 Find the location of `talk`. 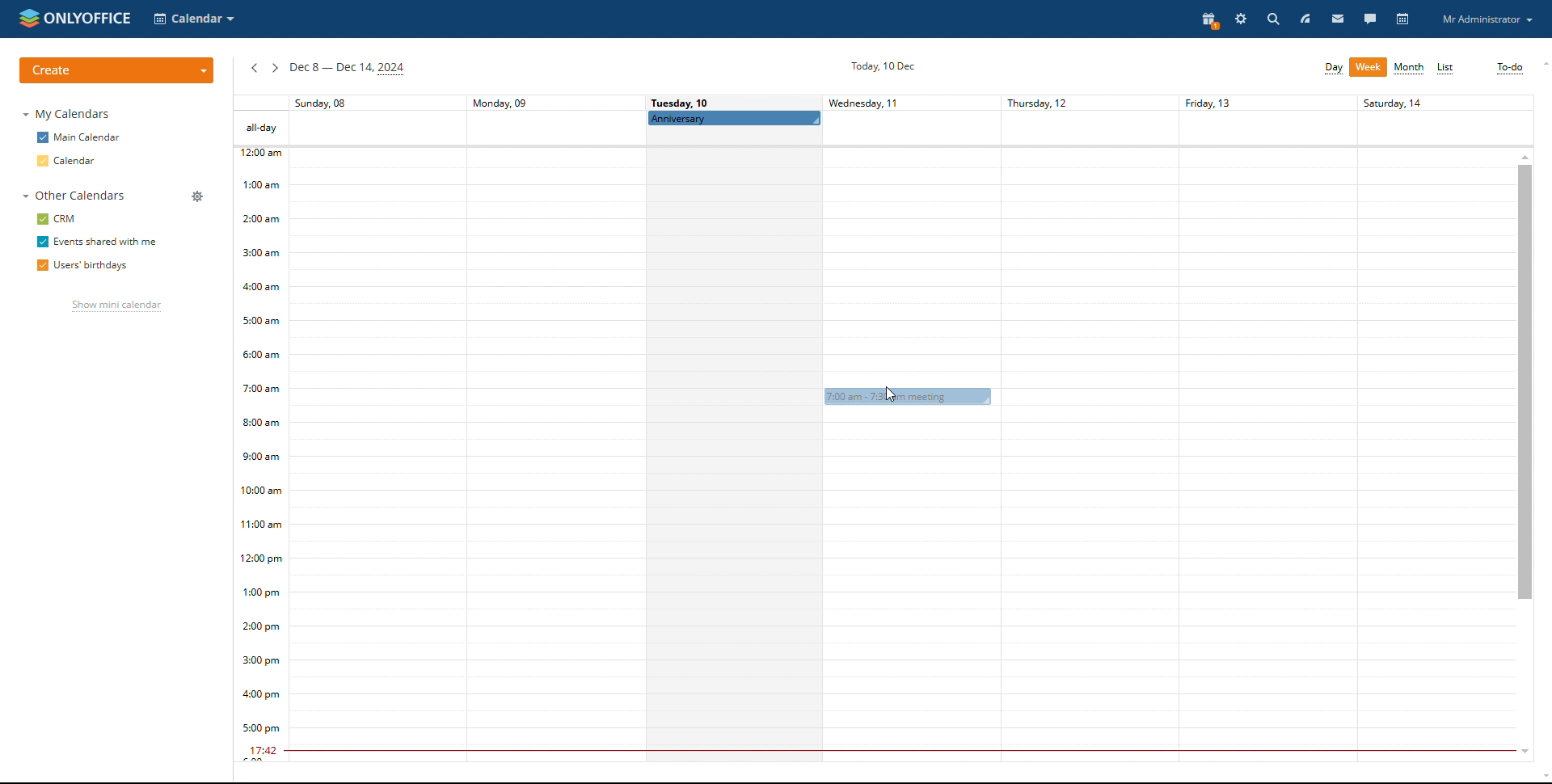

talk is located at coordinates (1369, 18).